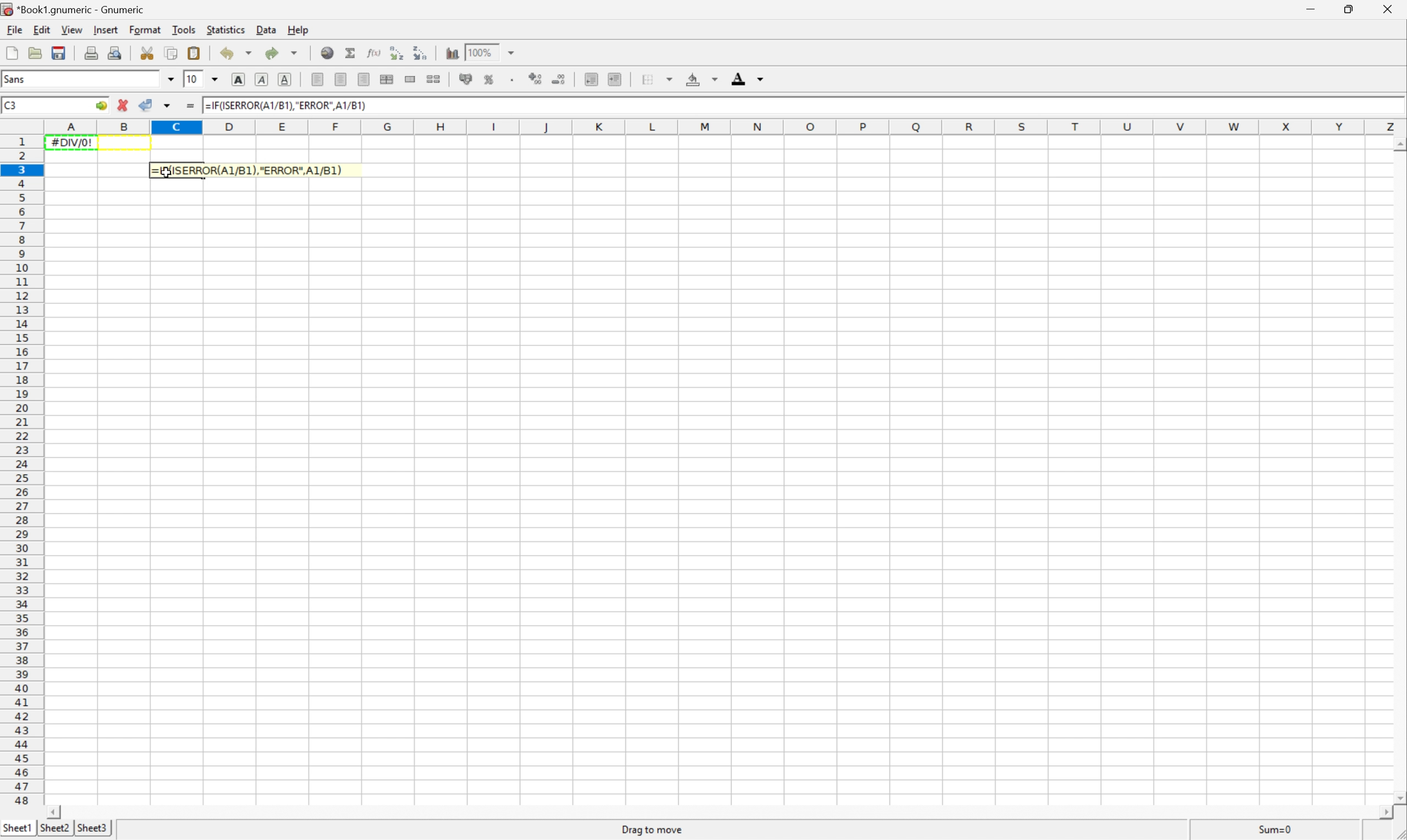 Image resolution: width=1407 pixels, height=840 pixels. Describe the element at coordinates (189, 104) in the screenshot. I see `Enter formula` at that location.